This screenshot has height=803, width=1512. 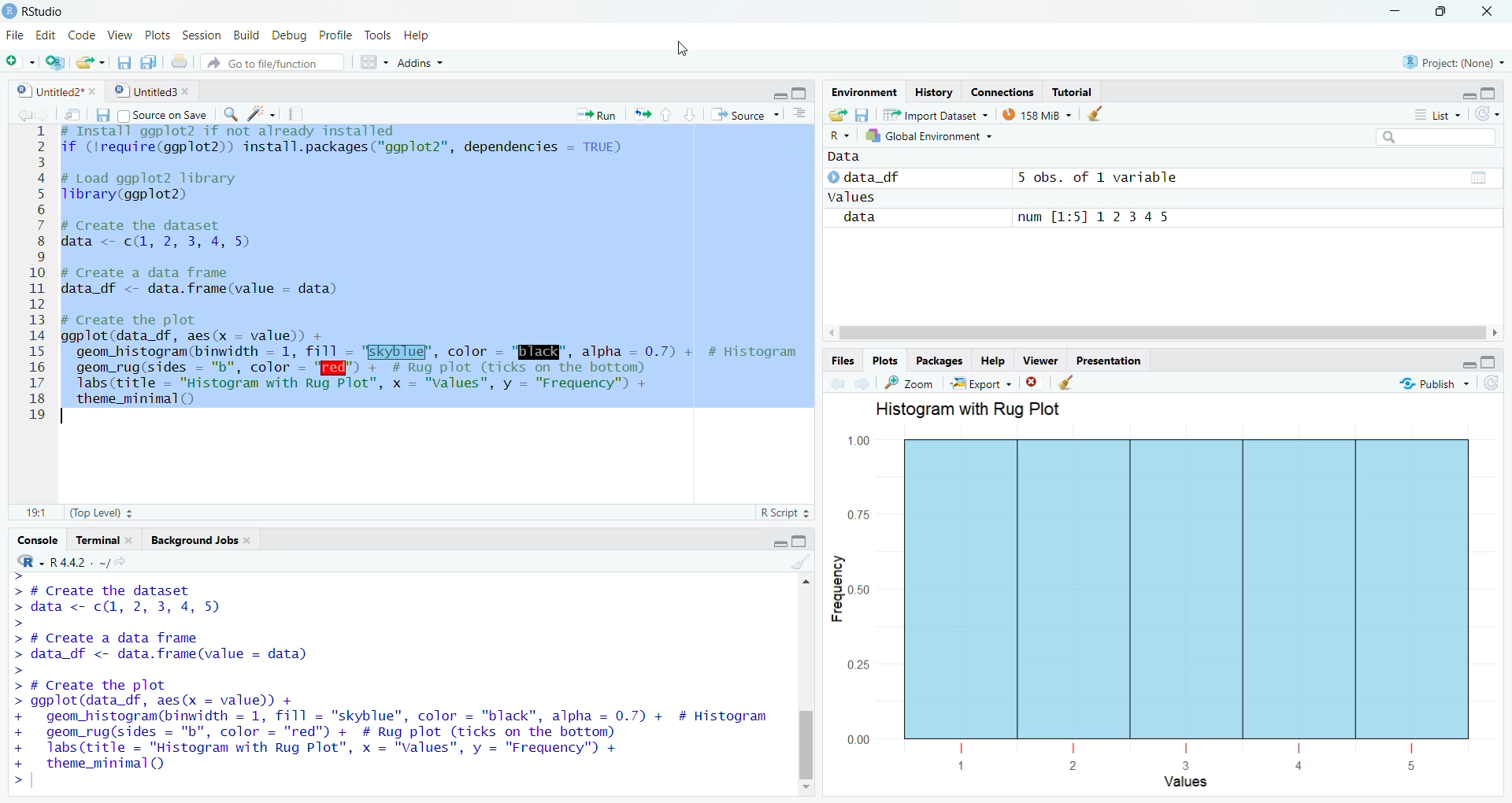 I want to click on Plots, so click(x=877, y=362).